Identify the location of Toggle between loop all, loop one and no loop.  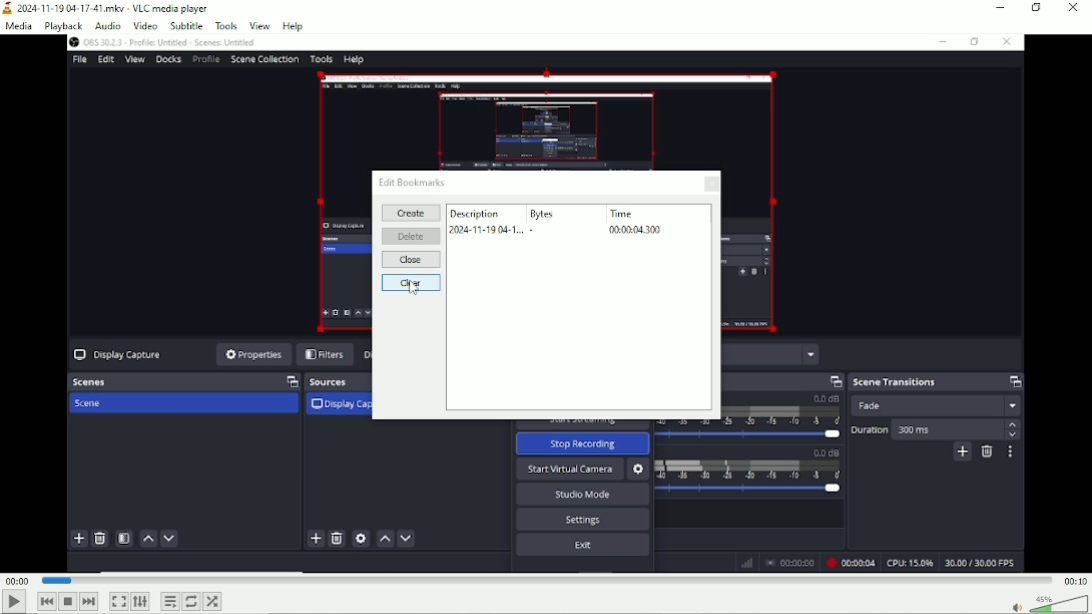
(191, 601).